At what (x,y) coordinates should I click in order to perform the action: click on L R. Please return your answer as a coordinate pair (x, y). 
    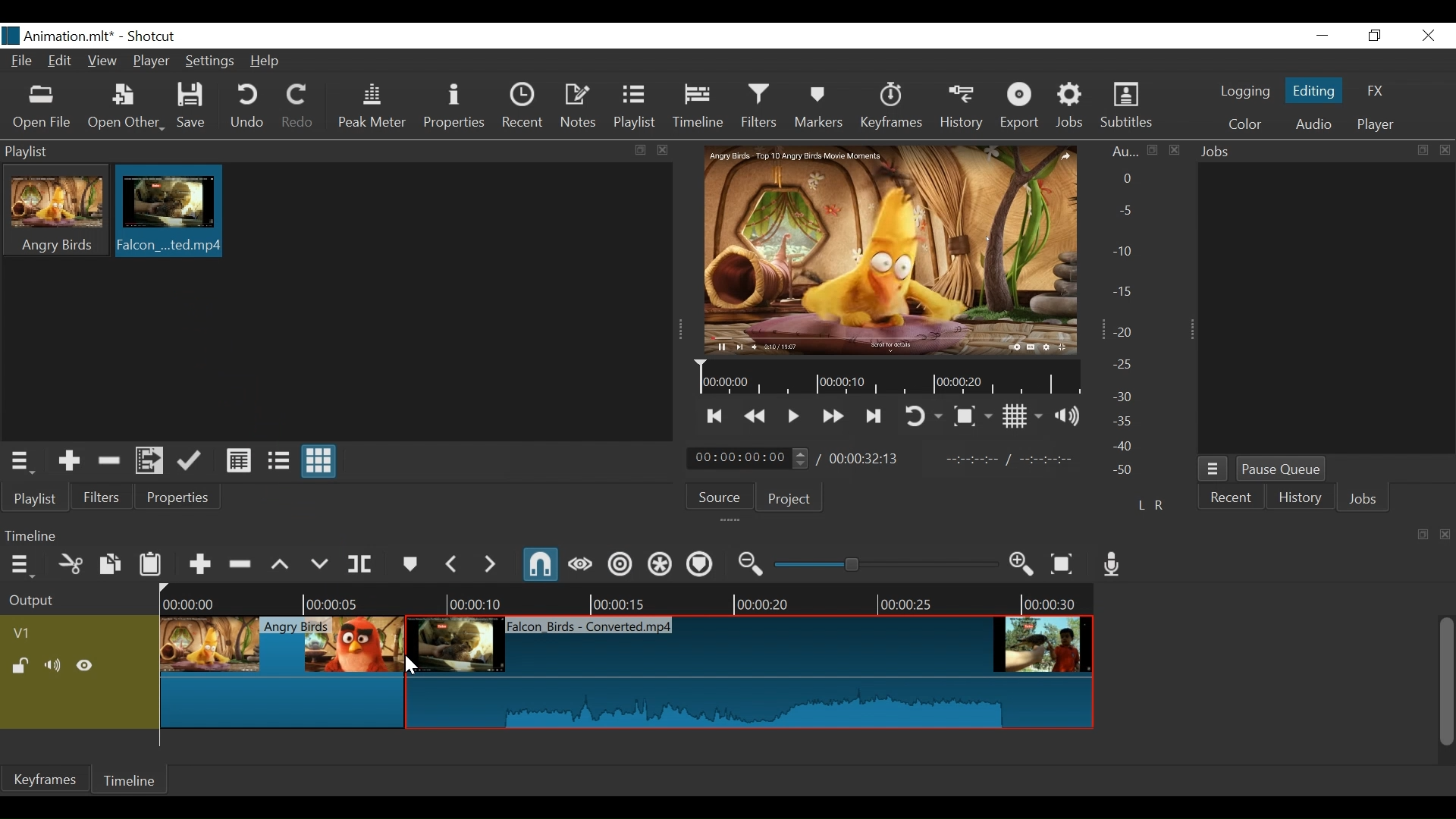
    Looking at the image, I should click on (1150, 504).